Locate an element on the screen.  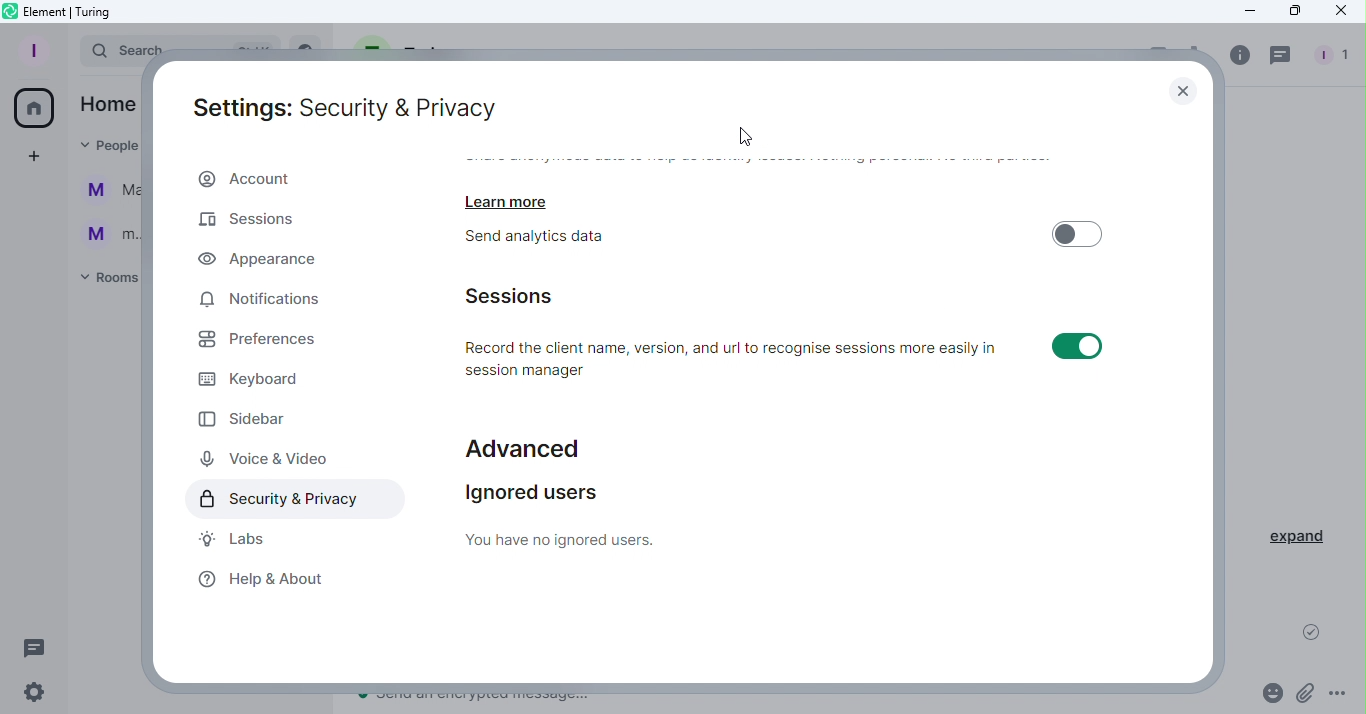
Voice and video is located at coordinates (264, 457).